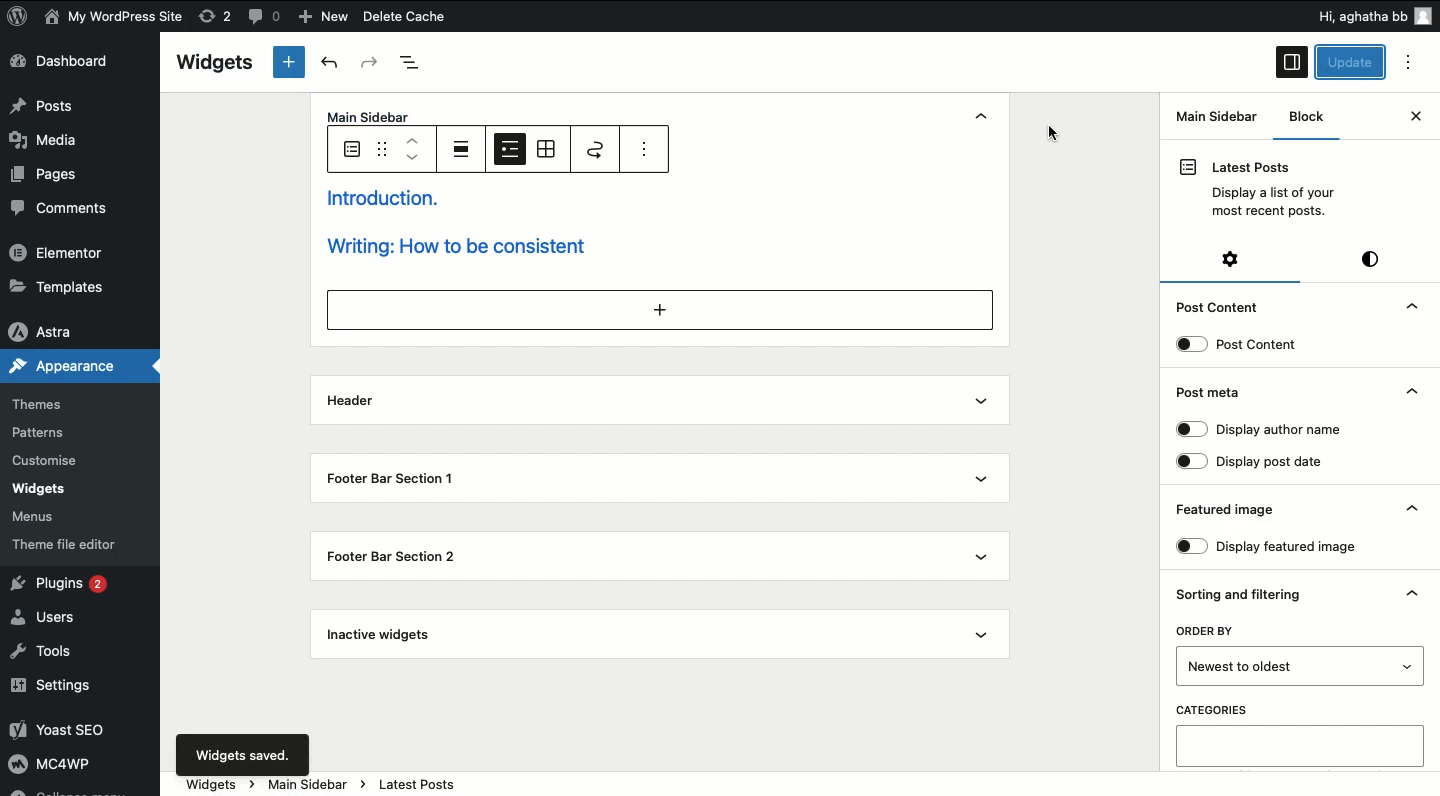 Image resolution: width=1440 pixels, height=796 pixels. Describe the element at coordinates (367, 65) in the screenshot. I see `Redo` at that location.